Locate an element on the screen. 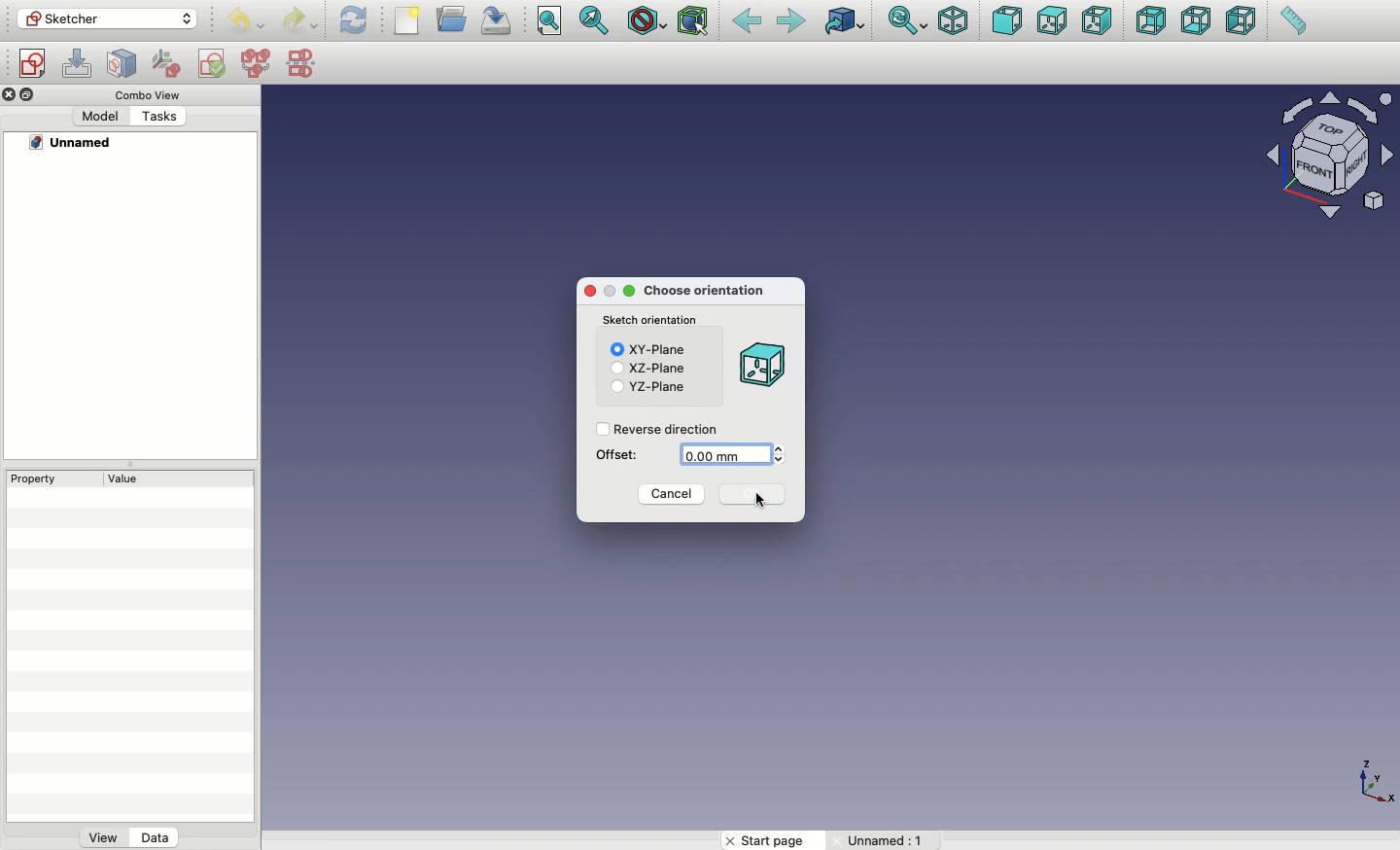 The width and height of the screenshot is (1400, 850). YX plane is located at coordinates (647, 387).